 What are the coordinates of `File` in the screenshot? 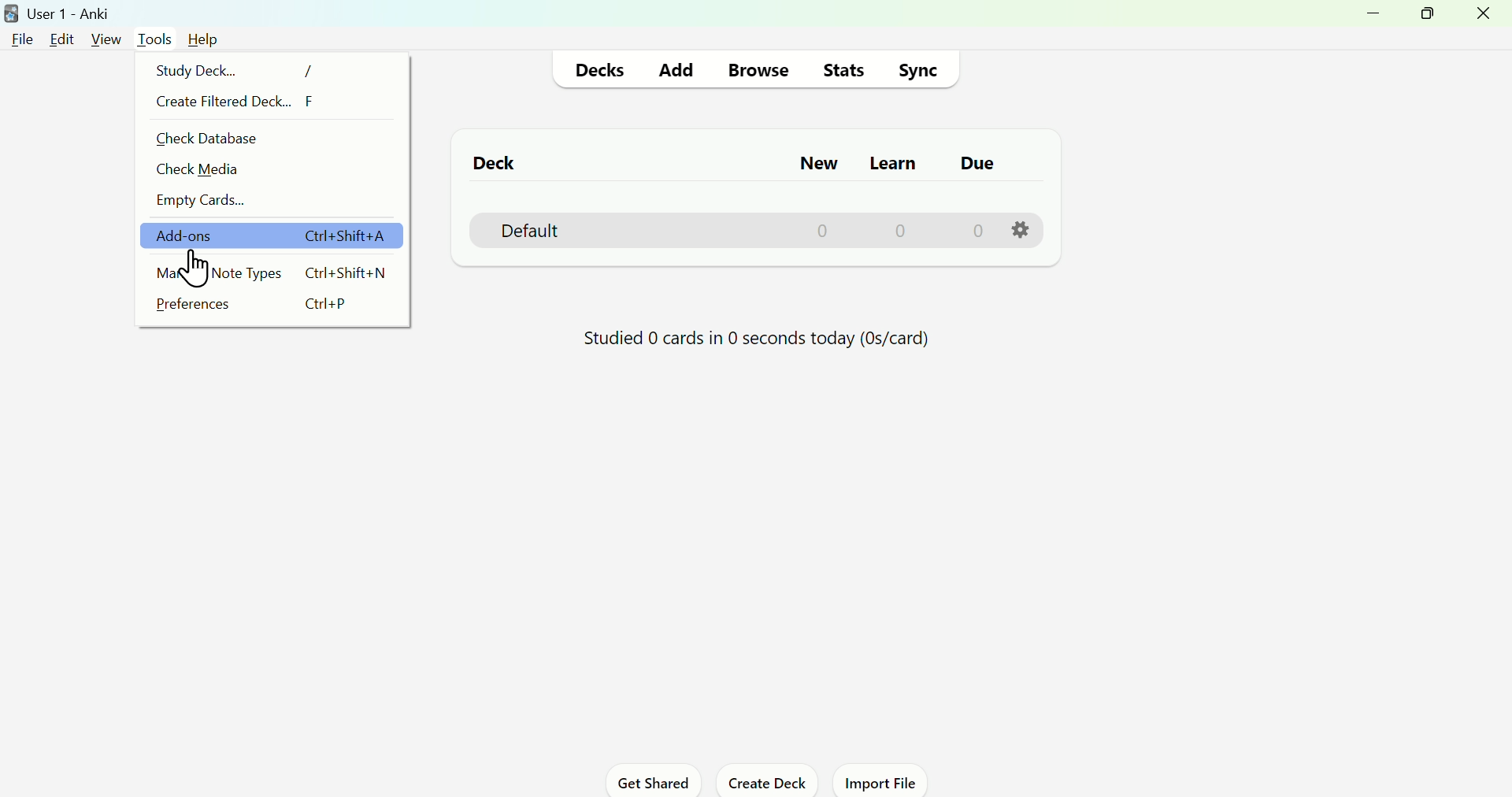 It's located at (20, 40).